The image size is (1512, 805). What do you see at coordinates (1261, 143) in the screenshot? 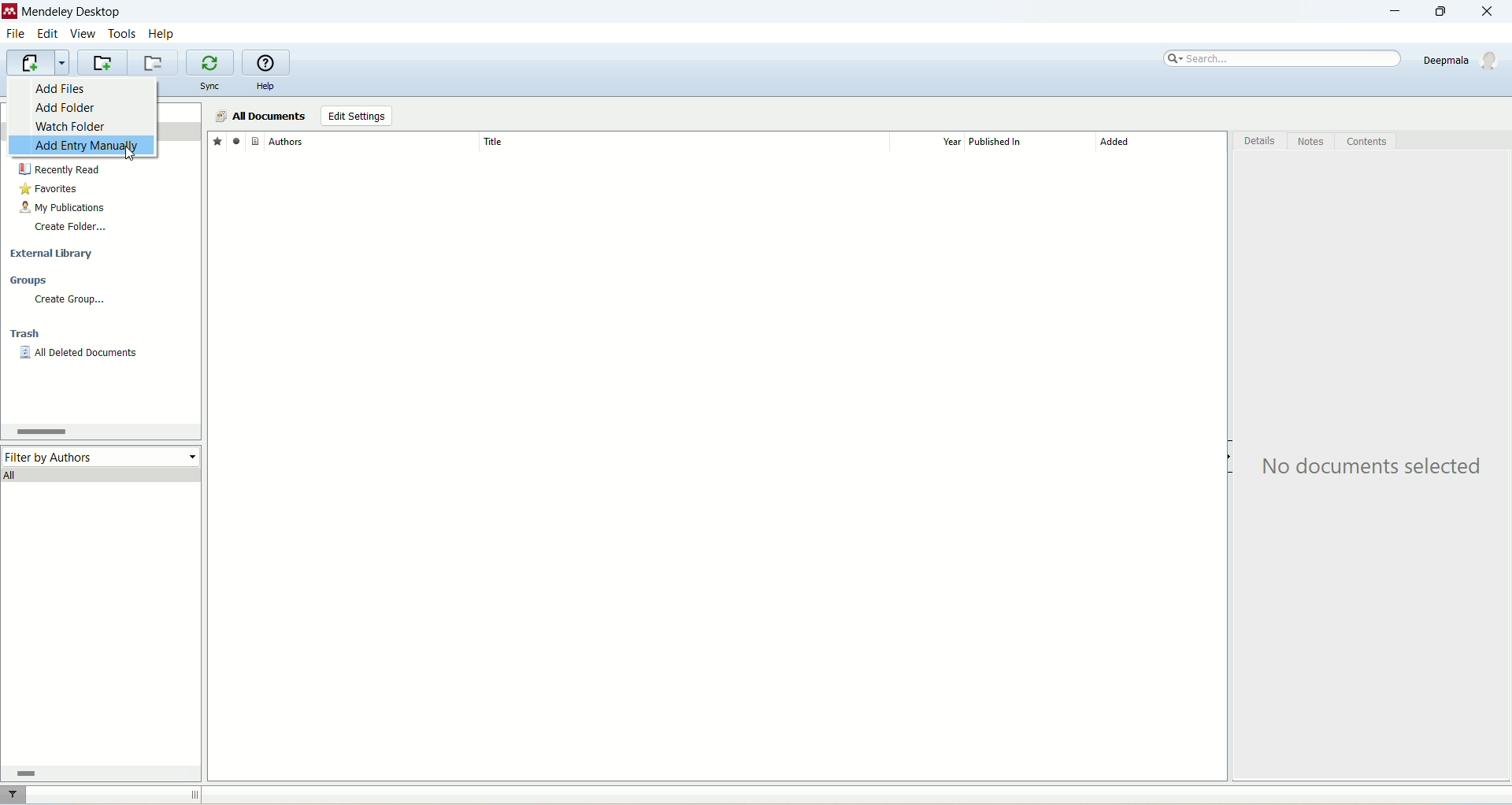
I see `details` at bounding box center [1261, 143].